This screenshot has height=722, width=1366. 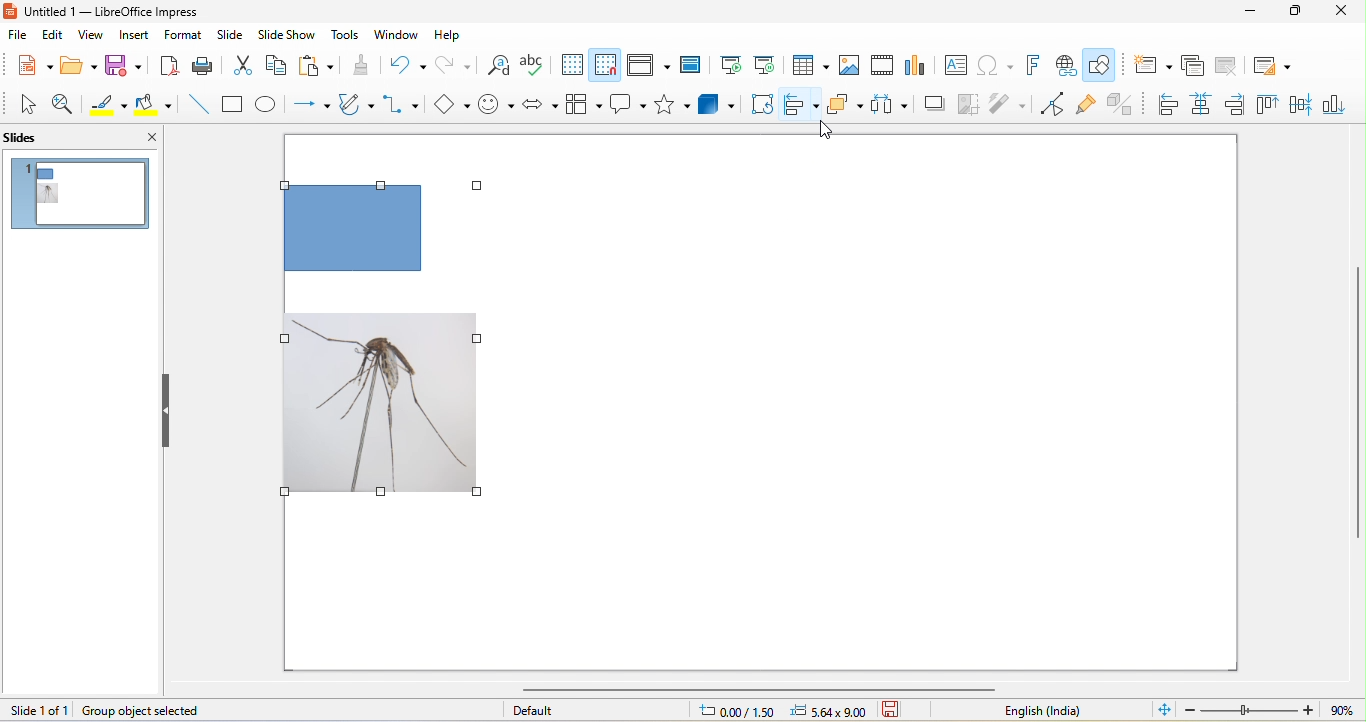 What do you see at coordinates (277, 66) in the screenshot?
I see `copy` at bounding box center [277, 66].